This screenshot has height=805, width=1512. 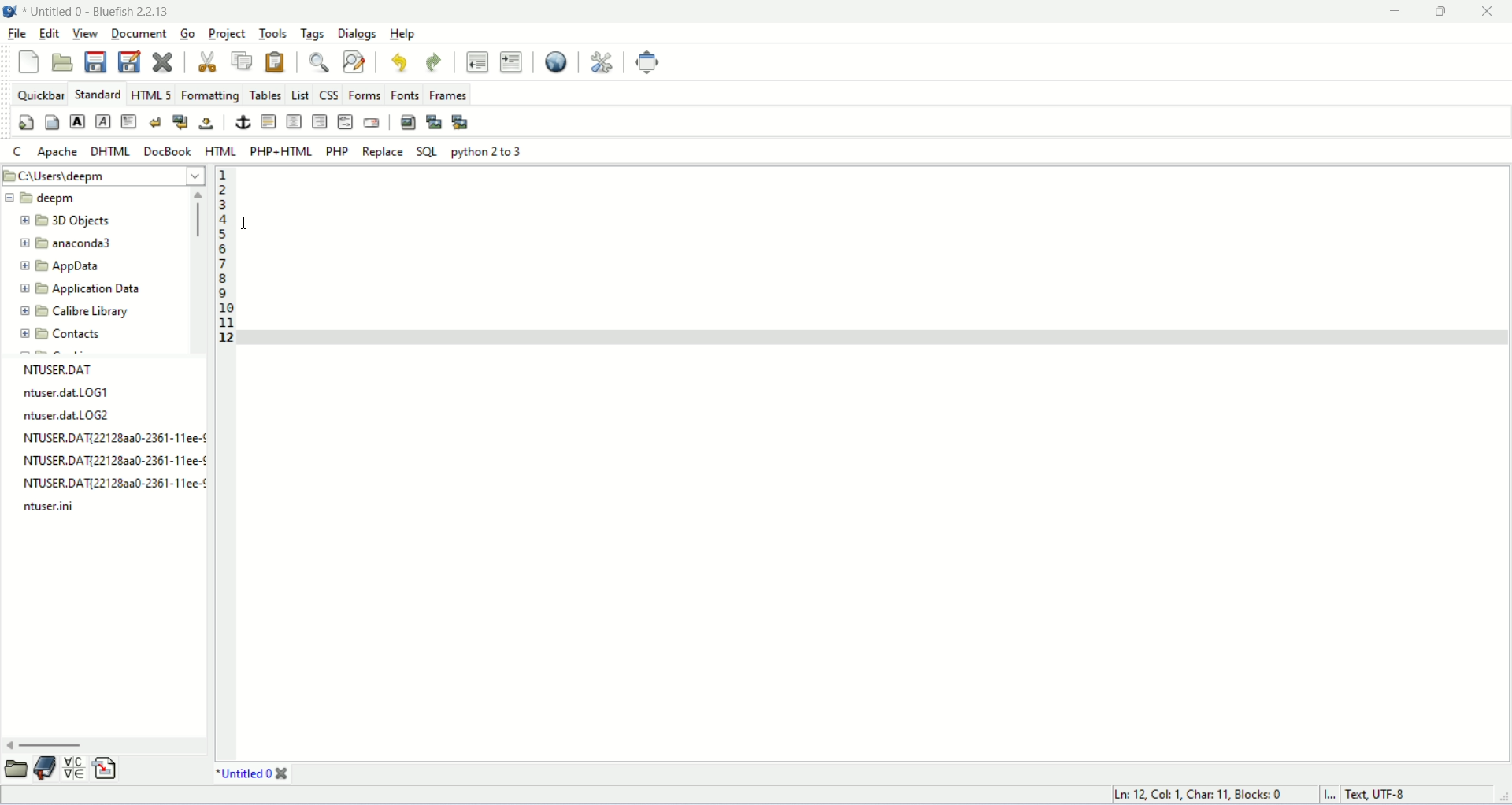 I want to click on document name, so click(x=96, y=10).